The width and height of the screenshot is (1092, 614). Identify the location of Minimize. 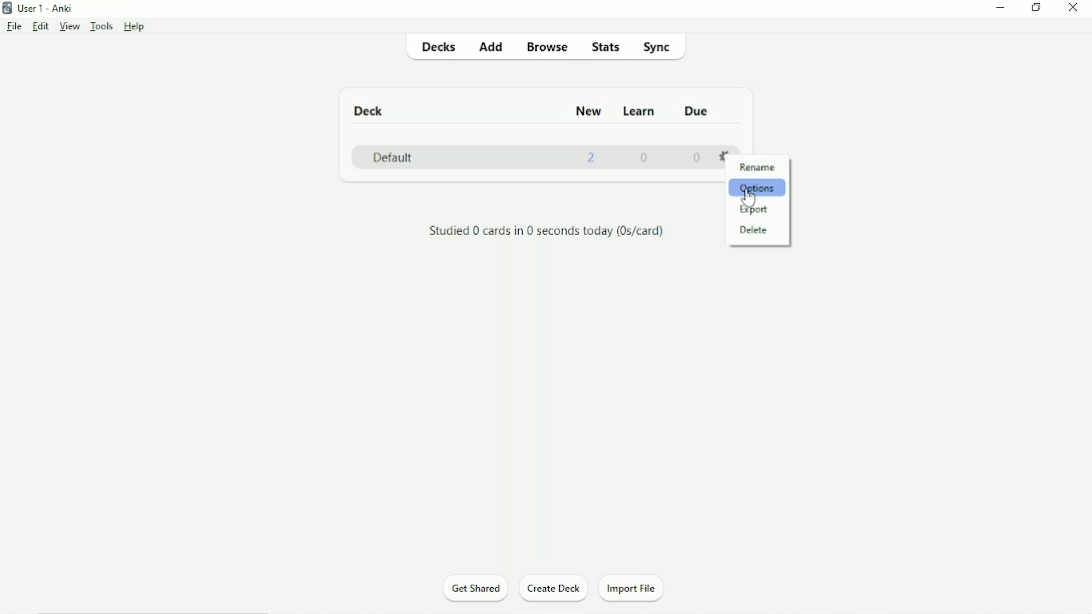
(1001, 9).